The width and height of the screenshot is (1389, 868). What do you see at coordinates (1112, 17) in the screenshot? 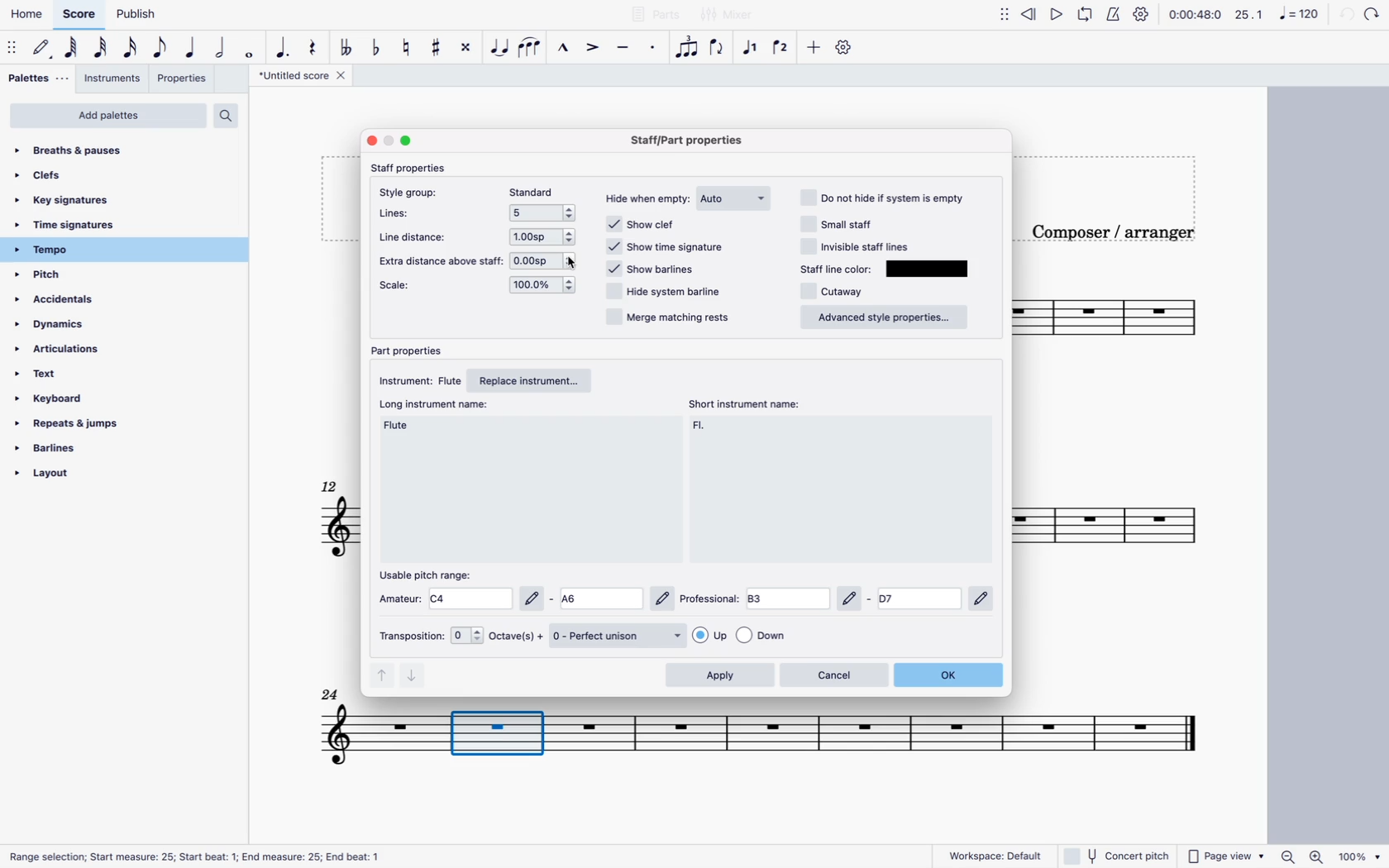
I see `metronome` at bounding box center [1112, 17].